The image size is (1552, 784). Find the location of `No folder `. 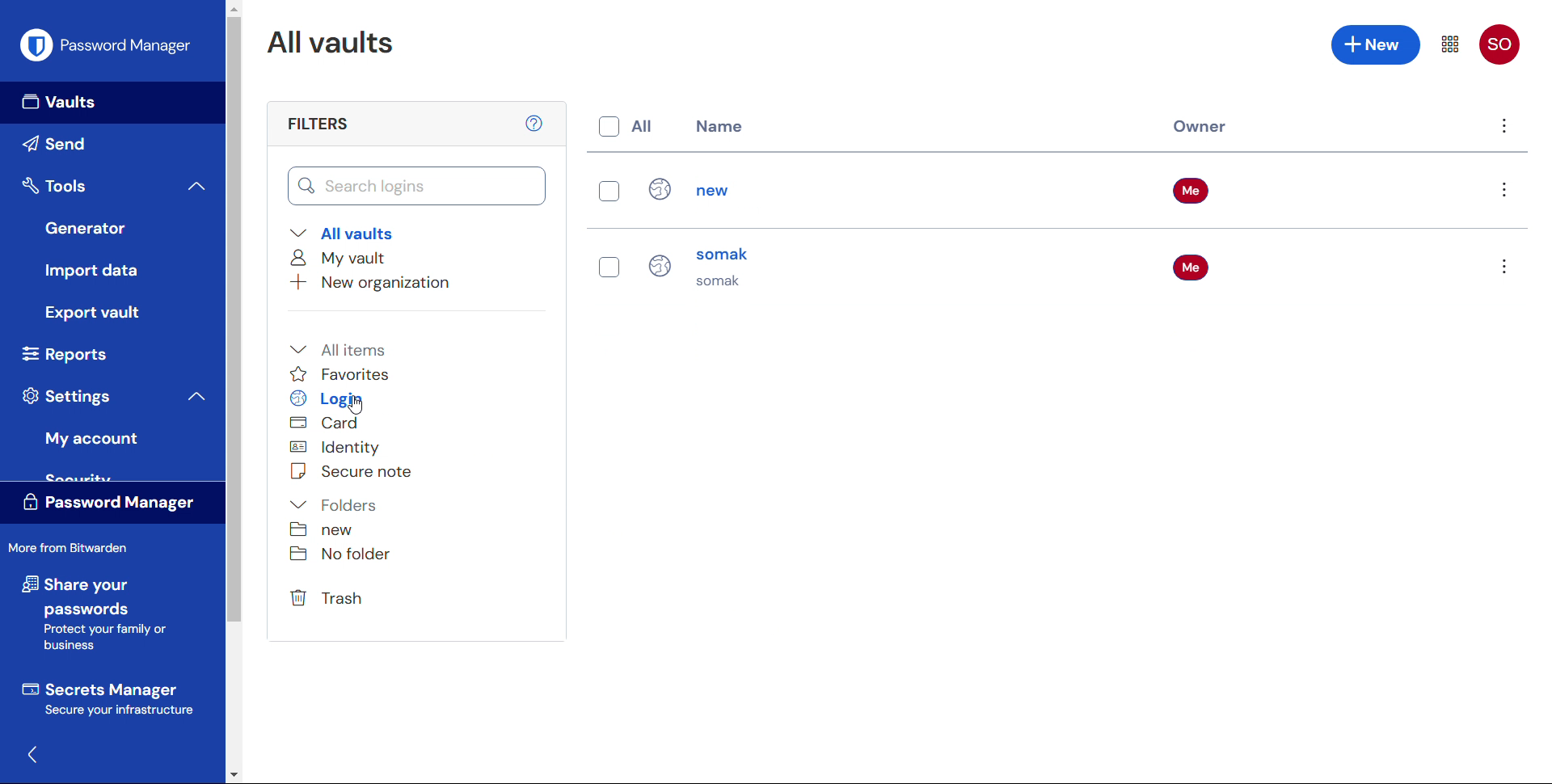

No folder  is located at coordinates (339, 556).